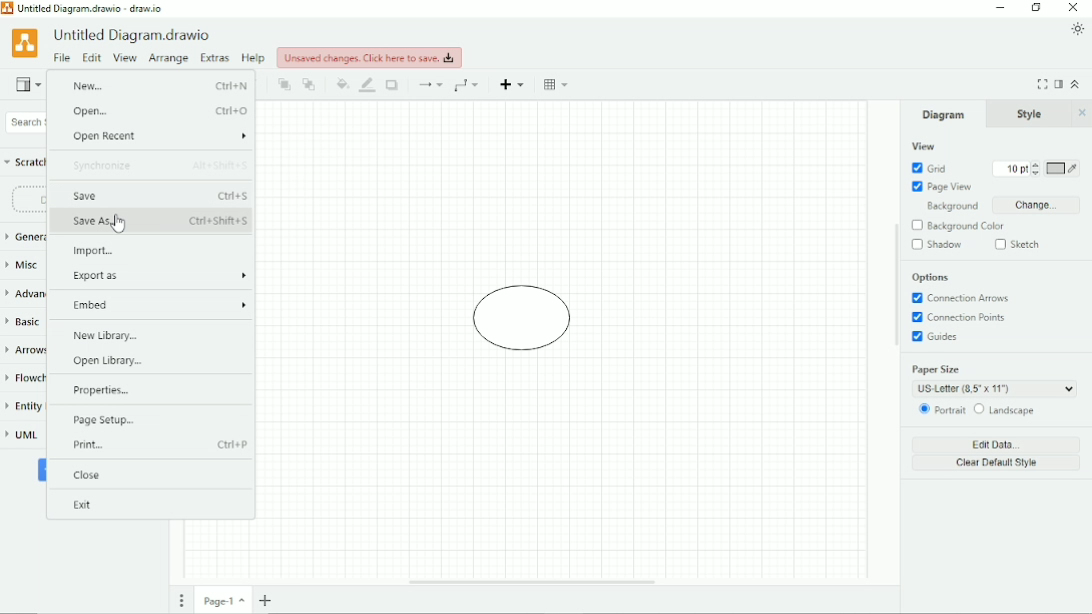 The width and height of the screenshot is (1092, 614). What do you see at coordinates (24, 436) in the screenshot?
I see `UML` at bounding box center [24, 436].